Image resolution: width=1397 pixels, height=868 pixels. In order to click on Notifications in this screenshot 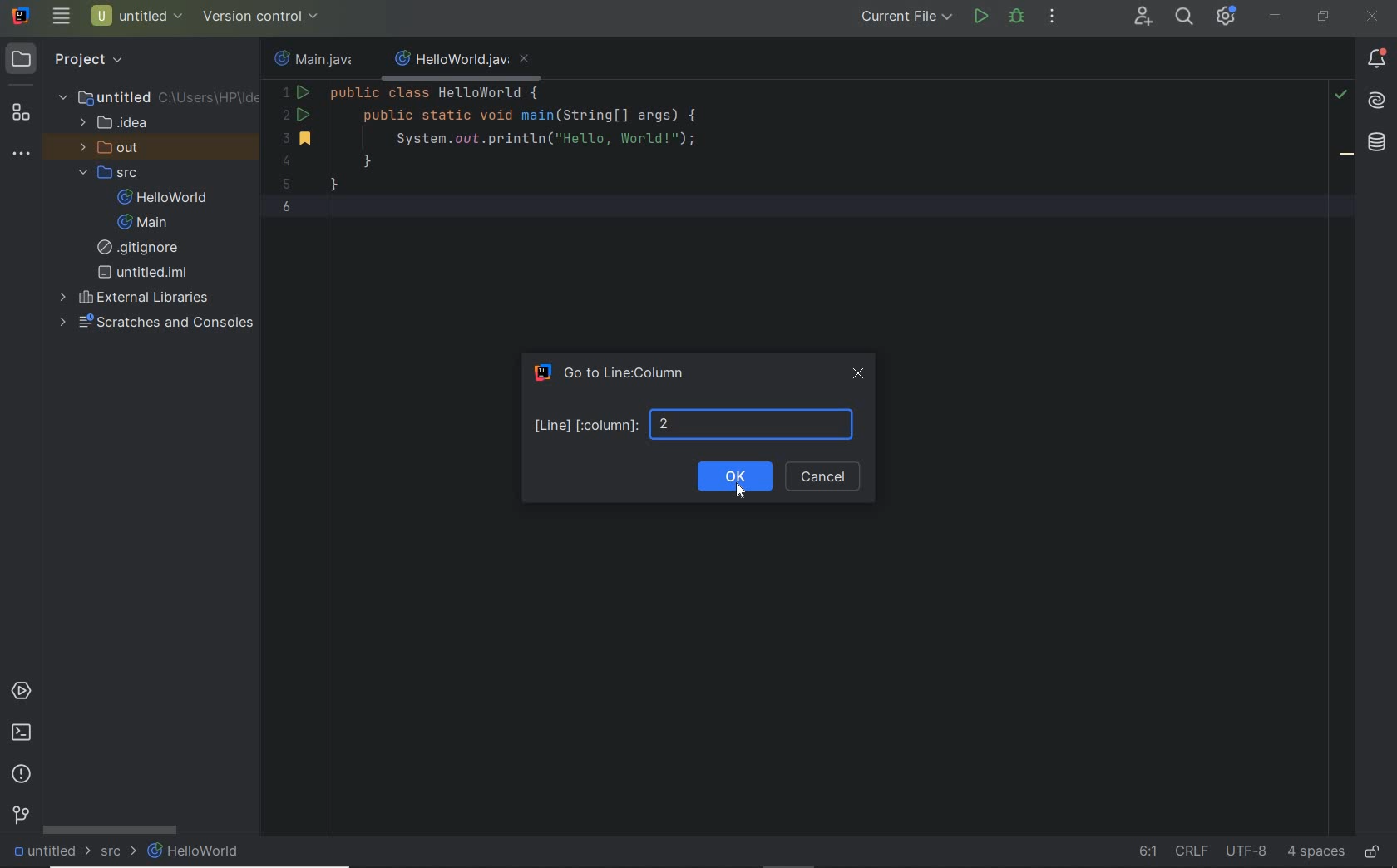, I will do `click(1377, 60)`.